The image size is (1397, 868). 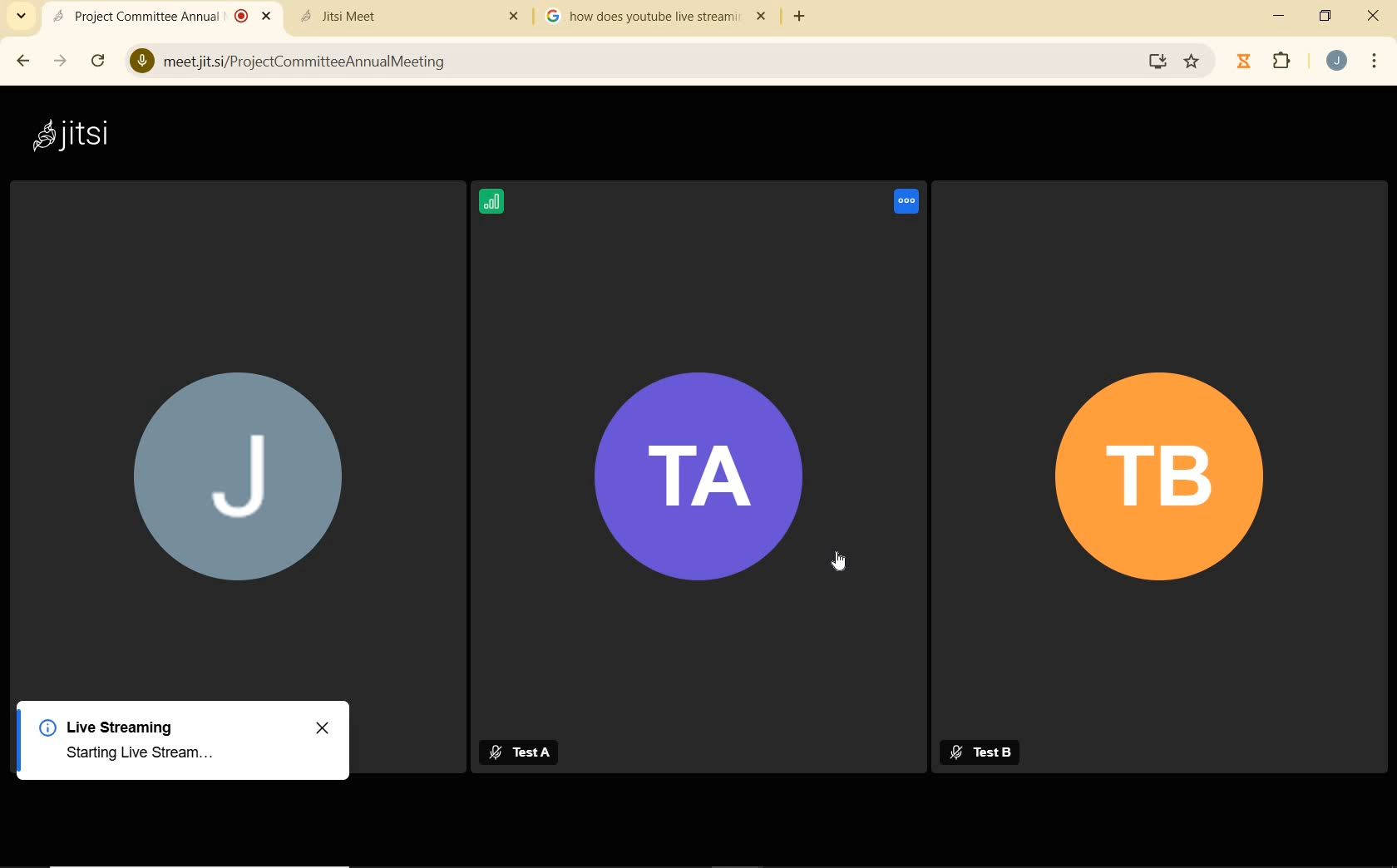 I want to click on , so click(x=512, y=17).